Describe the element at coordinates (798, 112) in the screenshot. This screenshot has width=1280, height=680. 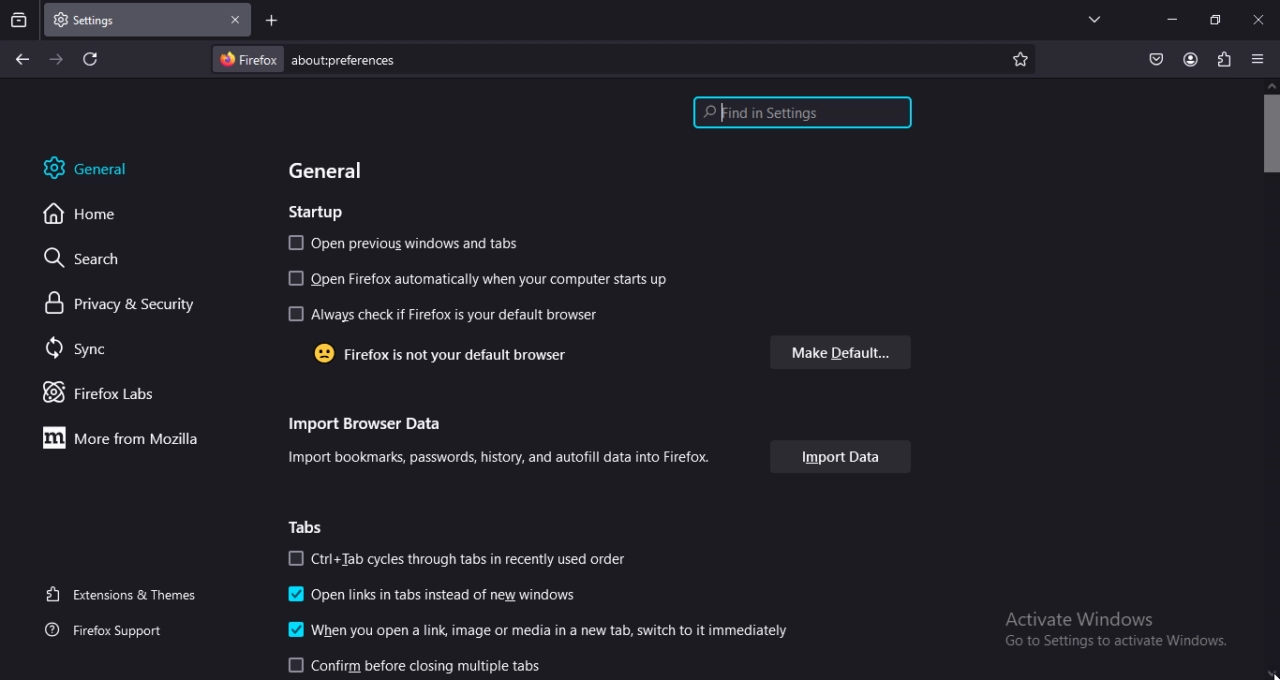
I see `find in settings` at that location.